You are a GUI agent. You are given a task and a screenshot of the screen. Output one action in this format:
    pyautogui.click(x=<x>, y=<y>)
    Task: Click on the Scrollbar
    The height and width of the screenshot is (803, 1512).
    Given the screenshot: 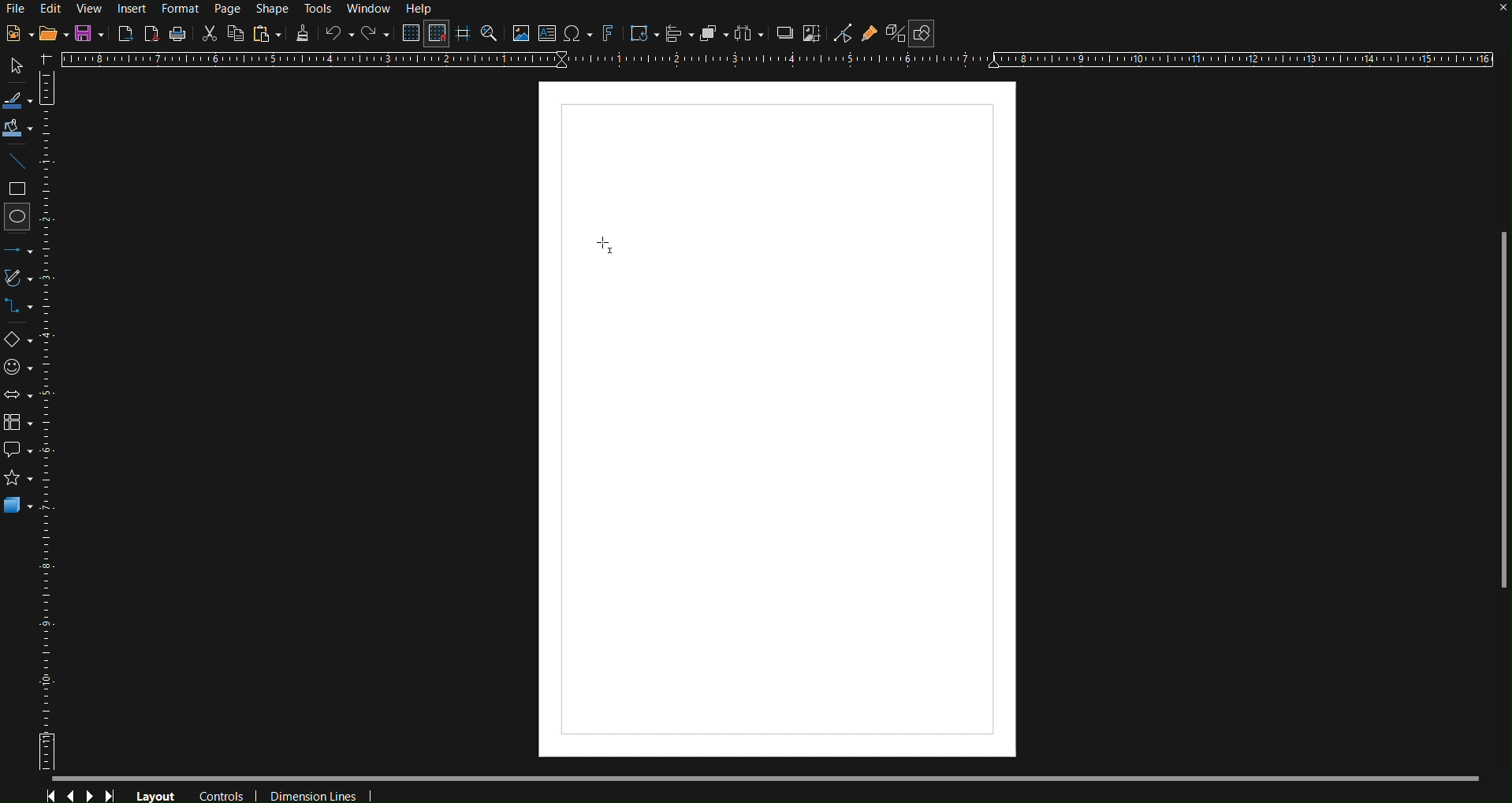 What is the action you would take?
    pyautogui.click(x=780, y=777)
    